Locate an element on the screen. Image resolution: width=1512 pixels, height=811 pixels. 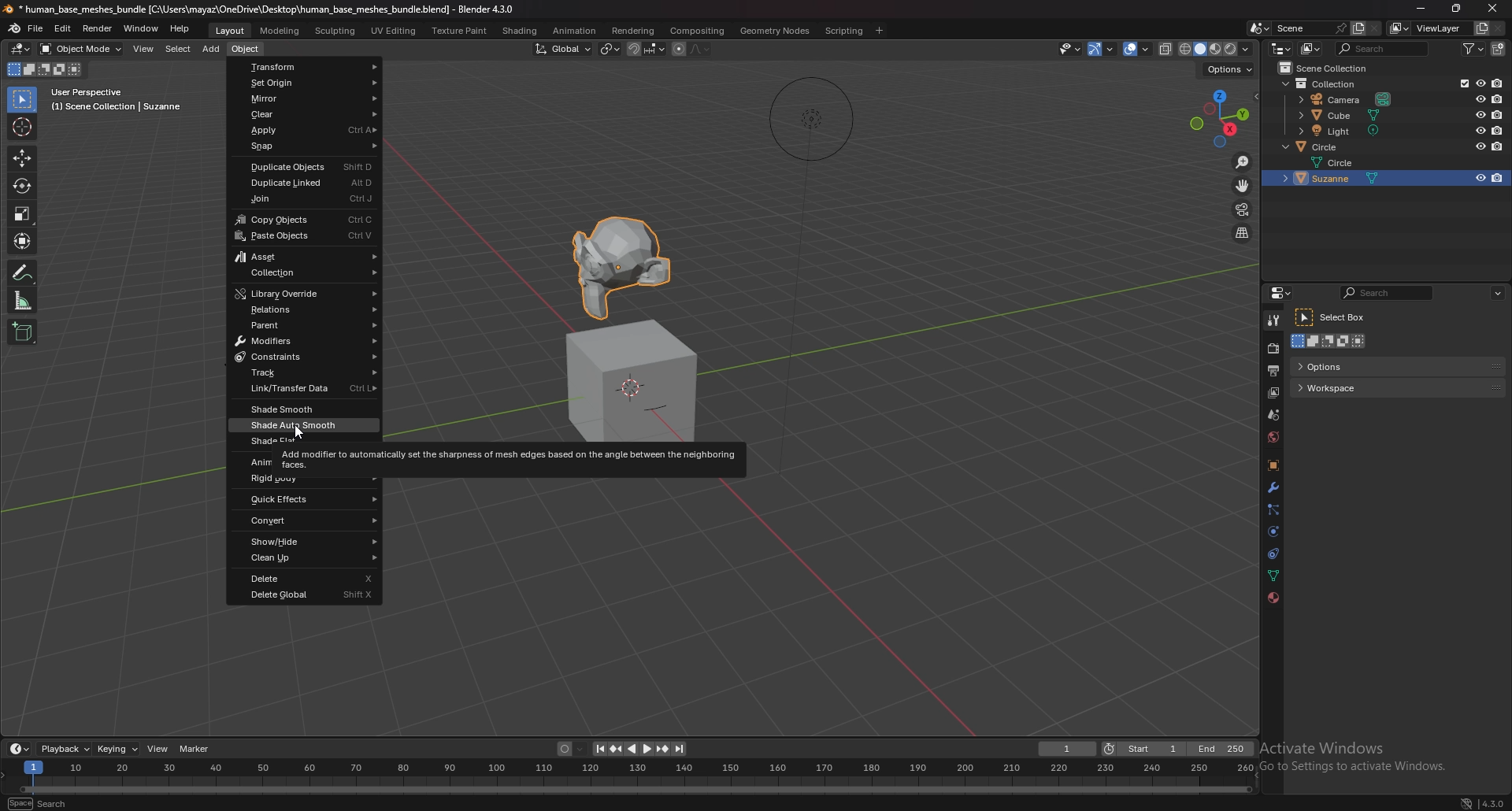
shading is located at coordinates (521, 30).